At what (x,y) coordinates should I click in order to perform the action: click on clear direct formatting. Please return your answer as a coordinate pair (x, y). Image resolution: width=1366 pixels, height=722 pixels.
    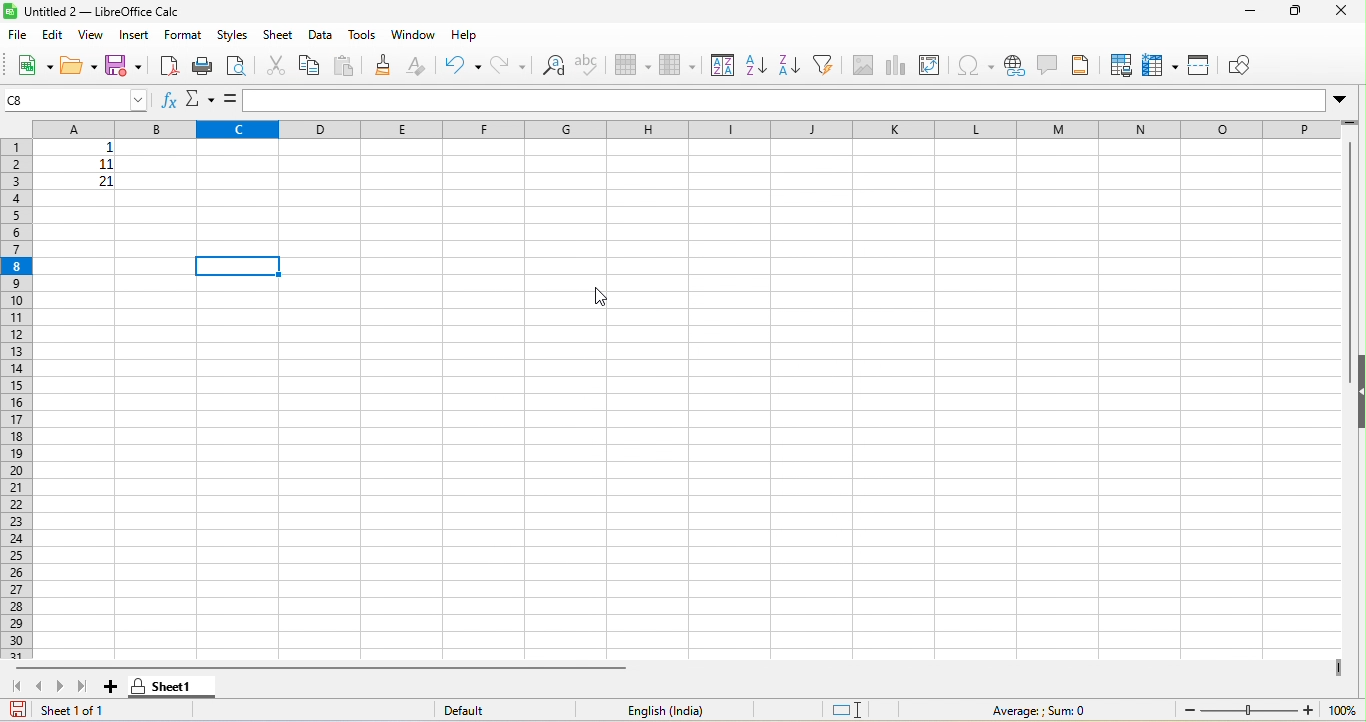
    Looking at the image, I should click on (432, 66).